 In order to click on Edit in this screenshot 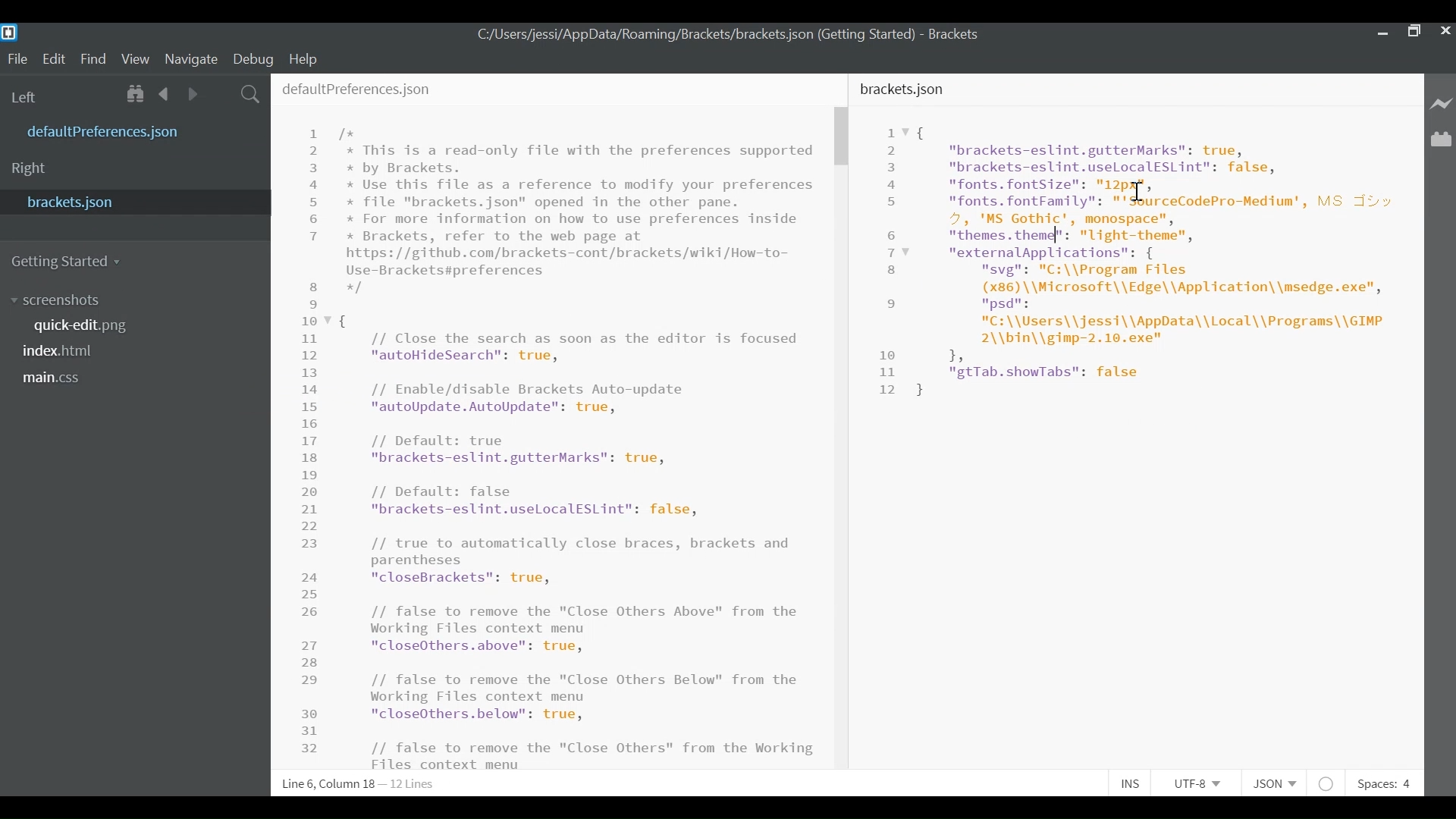, I will do `click(56, 59)`.